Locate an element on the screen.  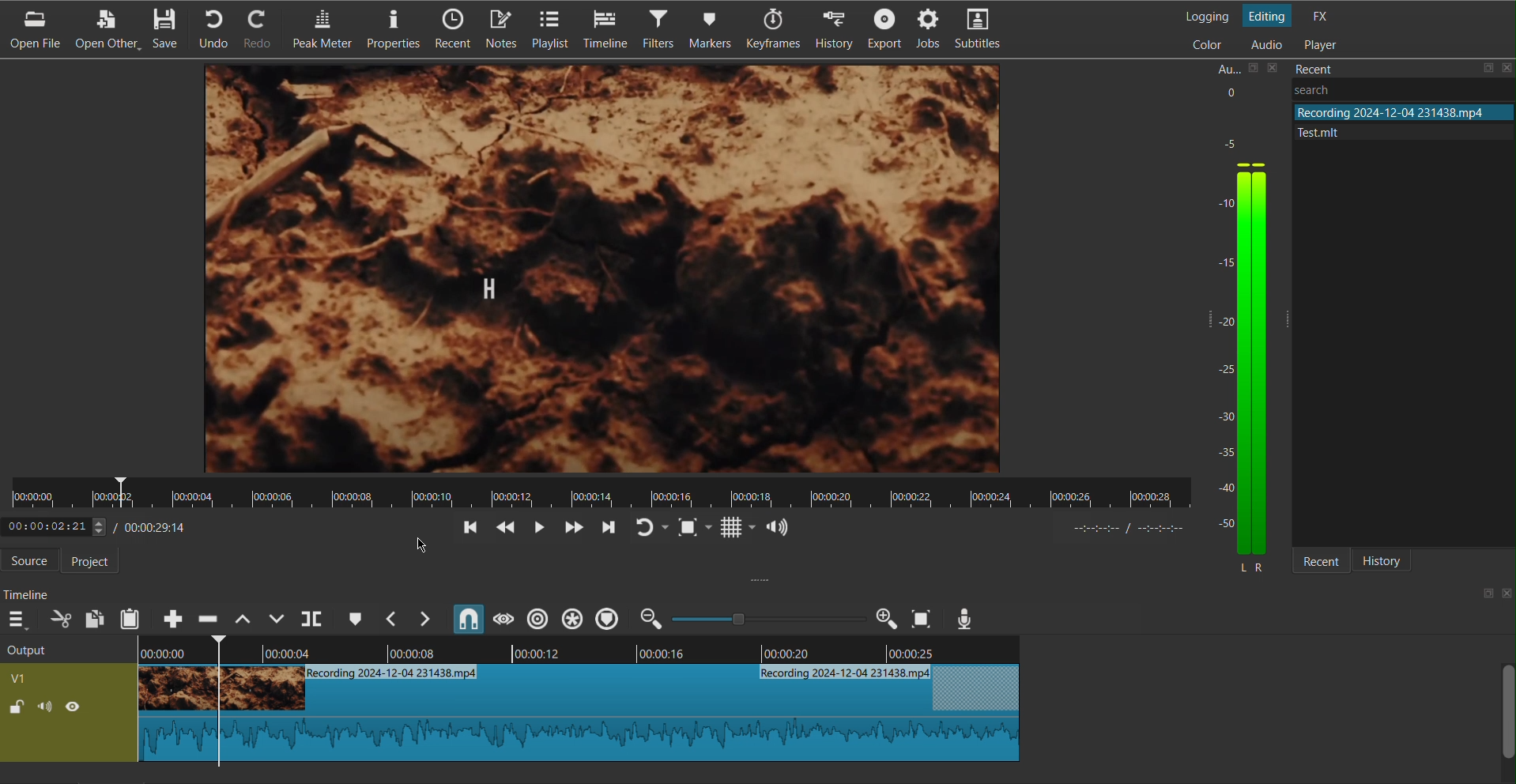
FX is located at coordinates (1320, 14).